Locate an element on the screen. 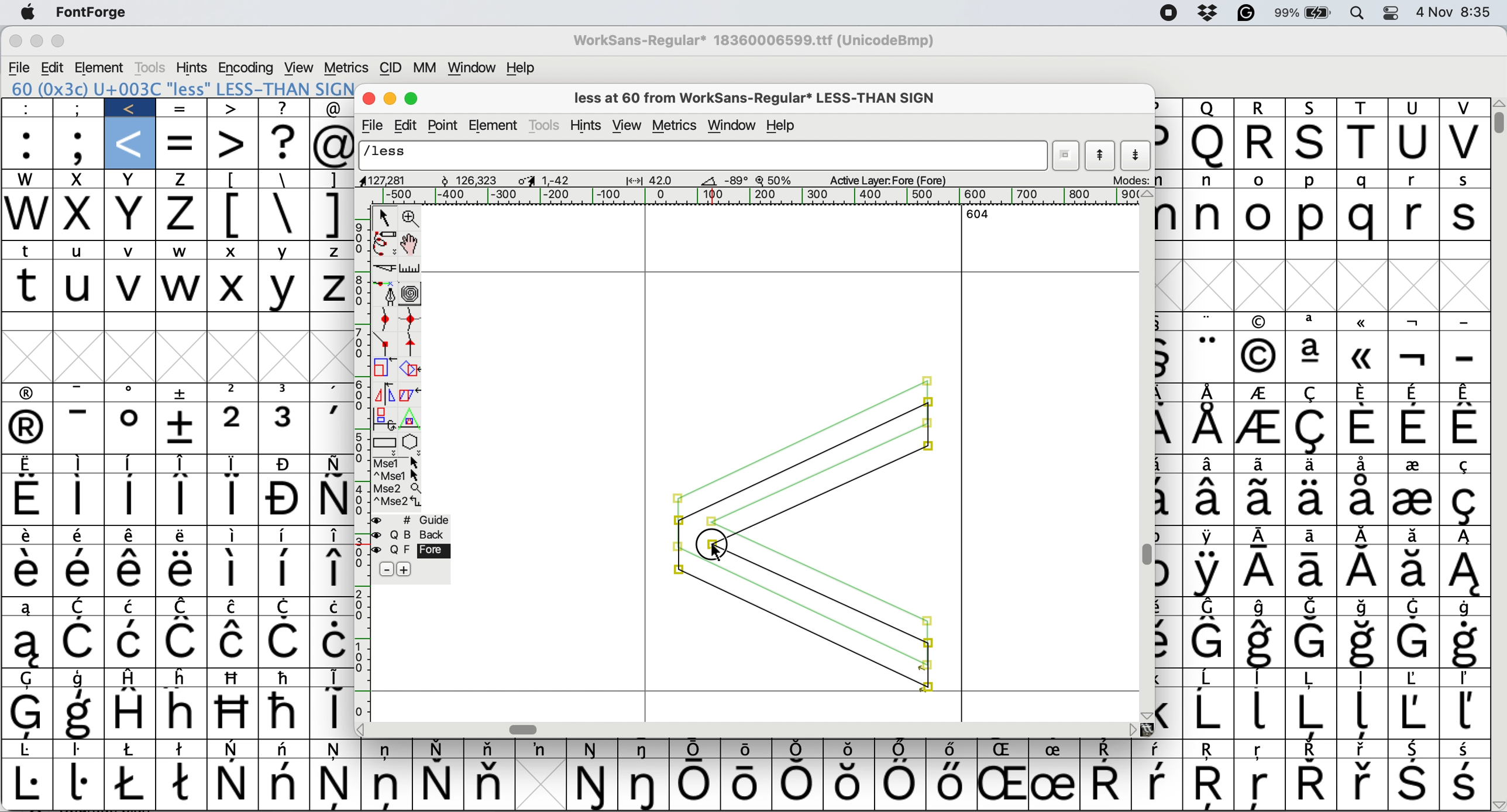  Symbol is located at coordinates (130, 394).